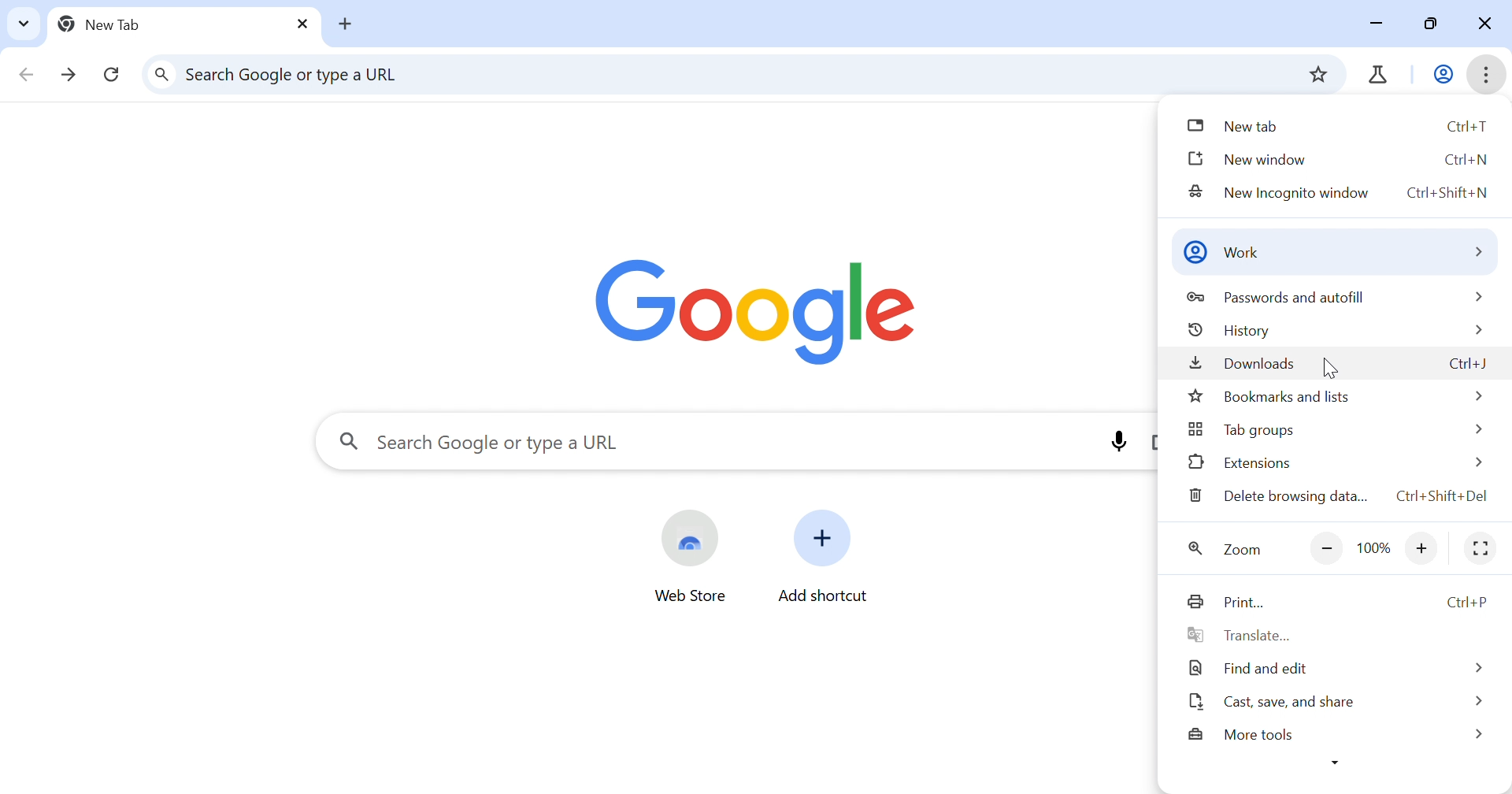 This screenshot has height=794, width=1512. What do you see at coordinates (755, 314) in the screenshot?
I see `Google` at bounding box center [755, 314].